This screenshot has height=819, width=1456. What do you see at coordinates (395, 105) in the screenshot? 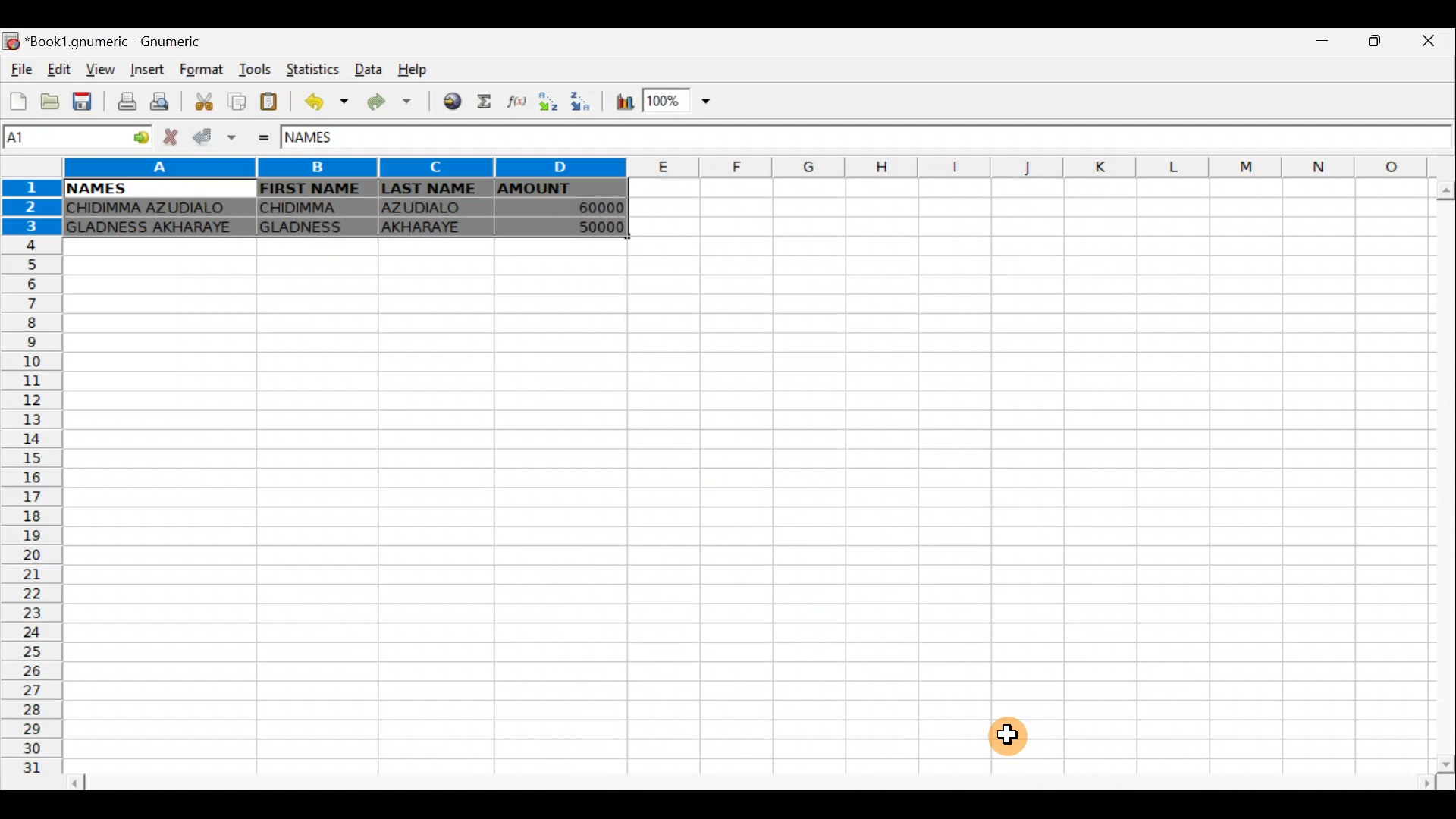
I see `Redo undone action` at bounding box center [395, 105].